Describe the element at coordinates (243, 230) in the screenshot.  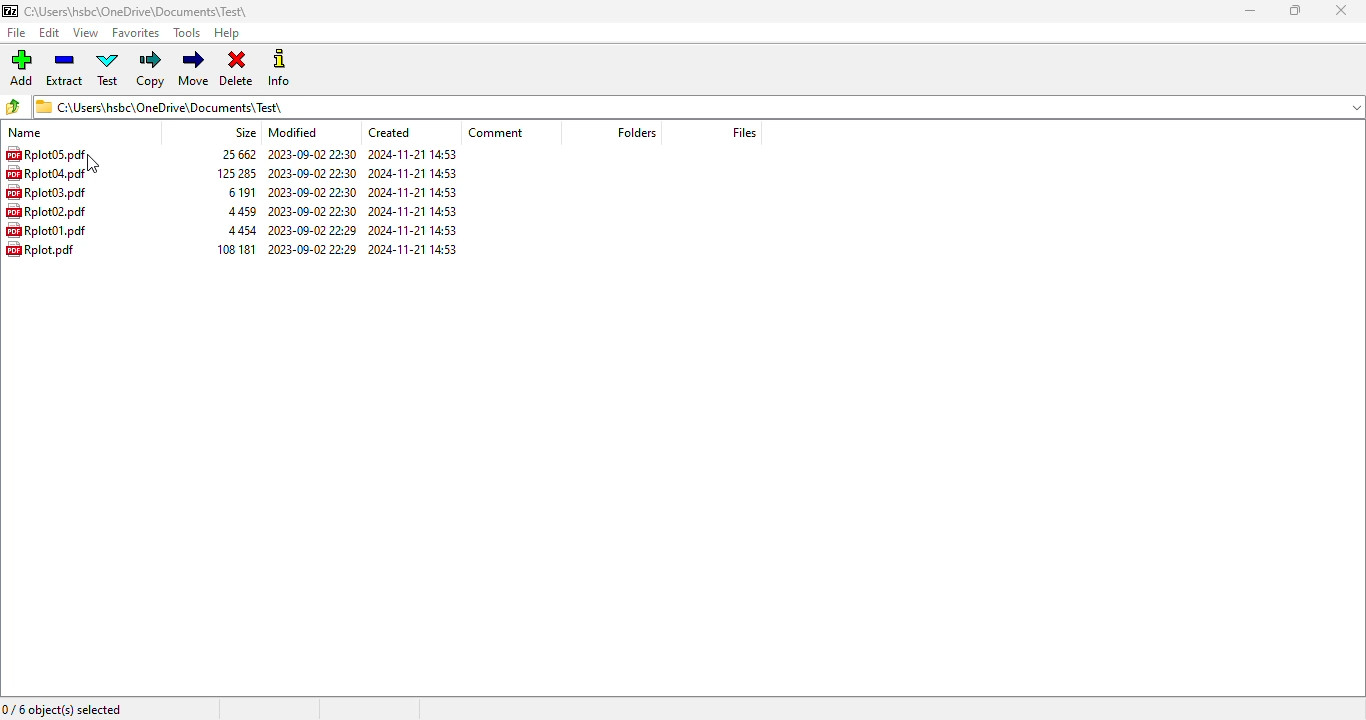
I see `size` at that location.